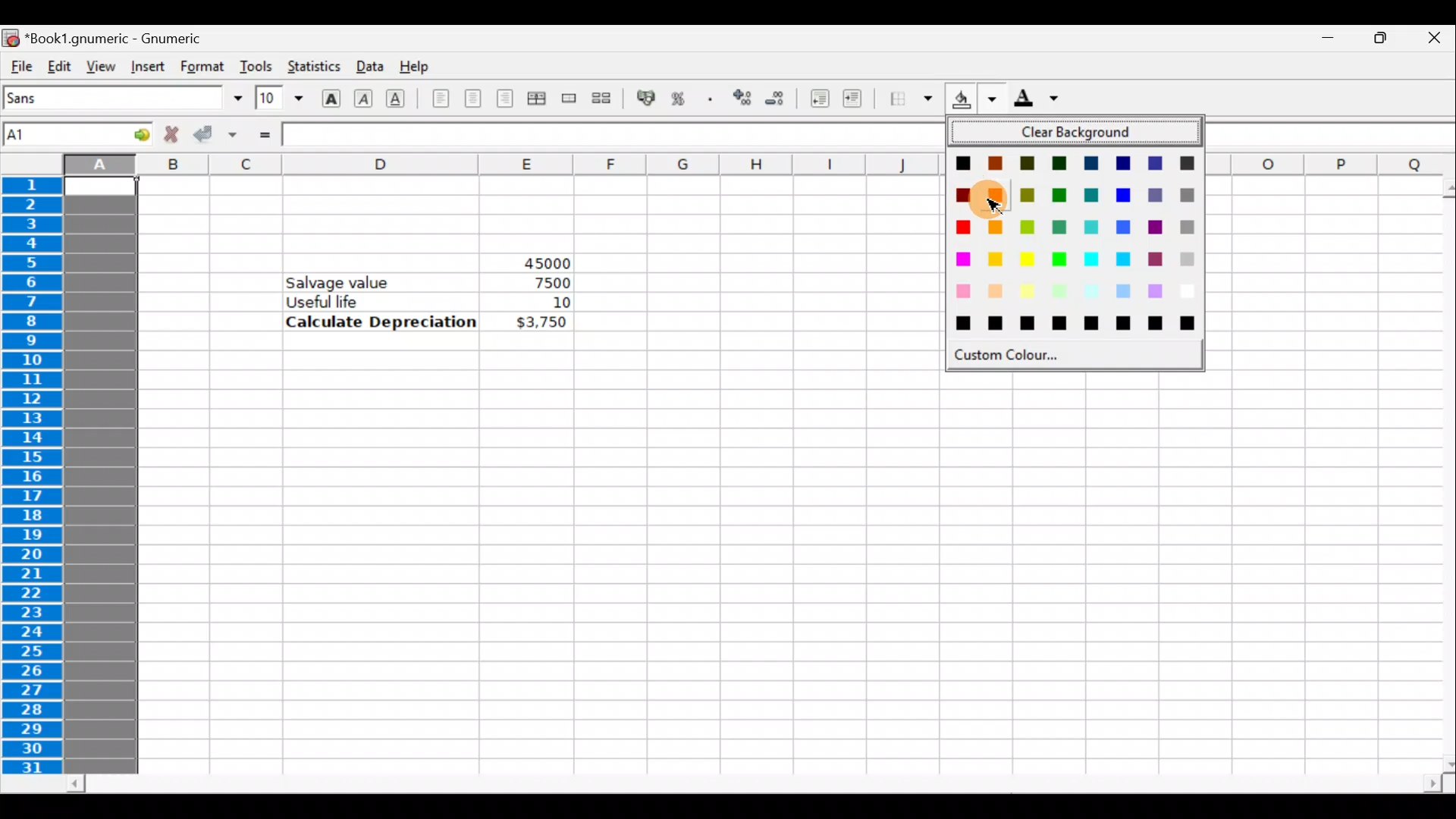  What do you see at coordinates (548, 283) in the screenshot?
I see `7500` at bounding box center [548, 283].